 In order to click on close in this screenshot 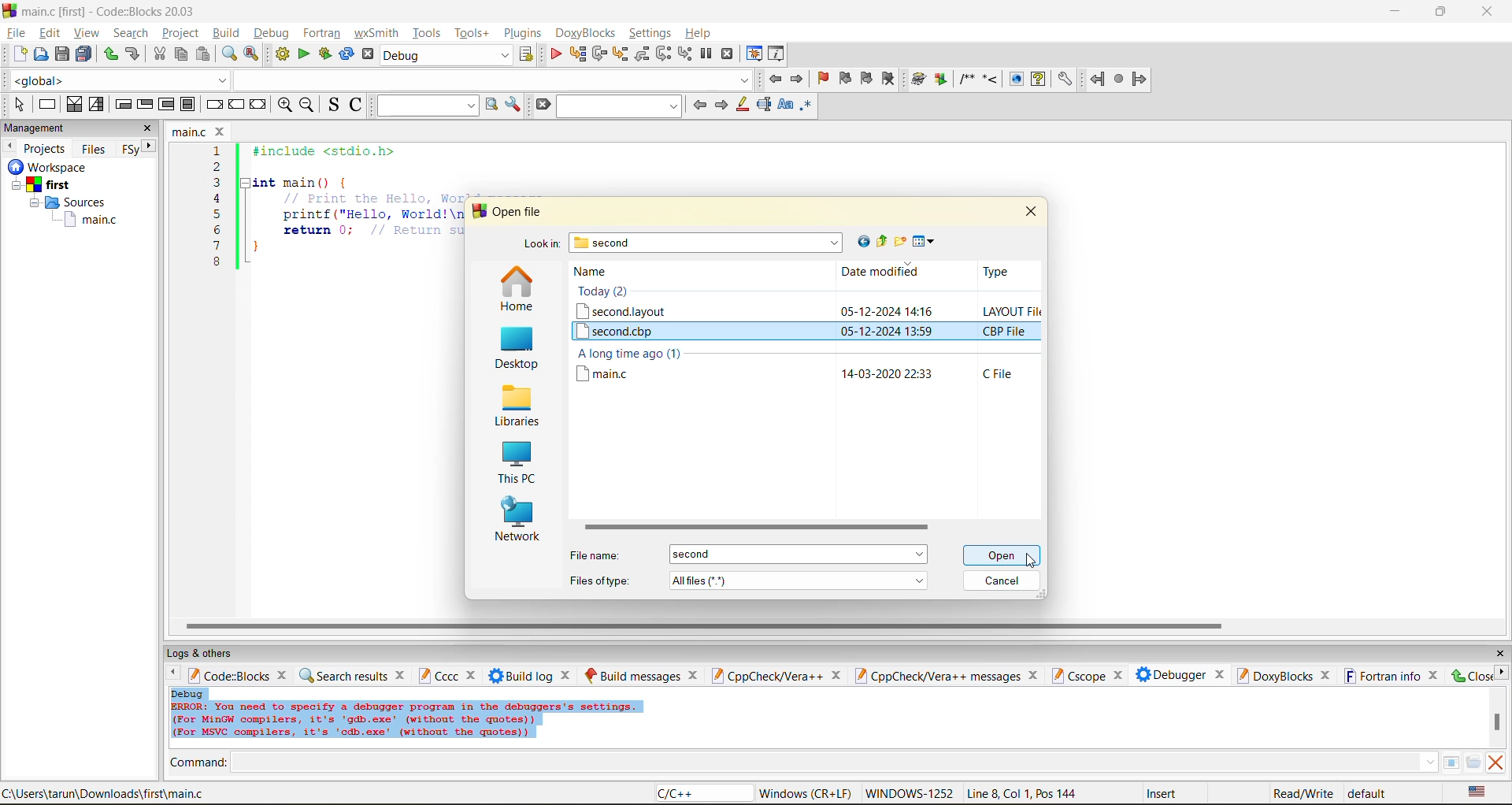, I will do `click(473, 676)`.